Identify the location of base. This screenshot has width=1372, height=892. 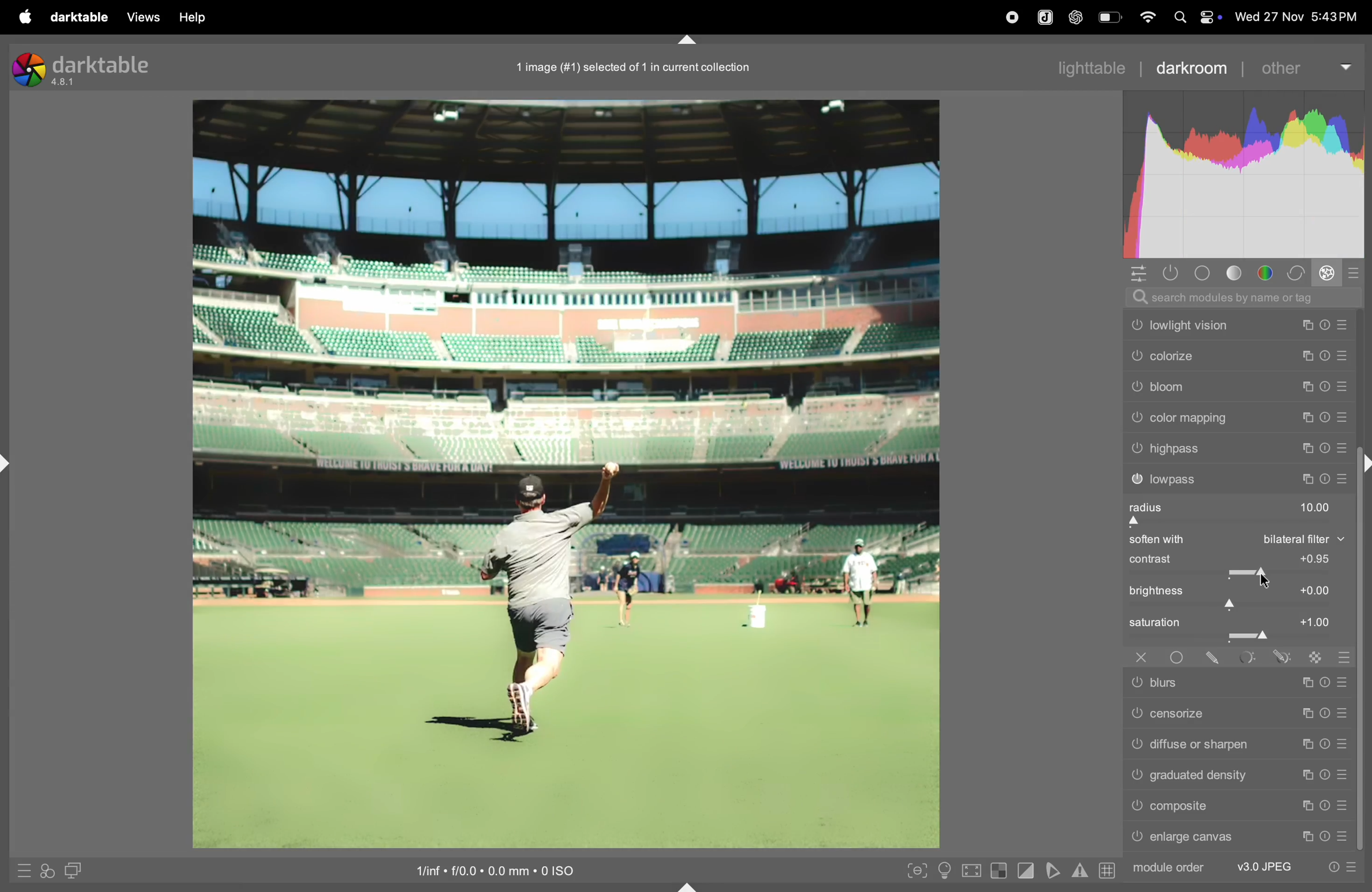
(1203, 273).